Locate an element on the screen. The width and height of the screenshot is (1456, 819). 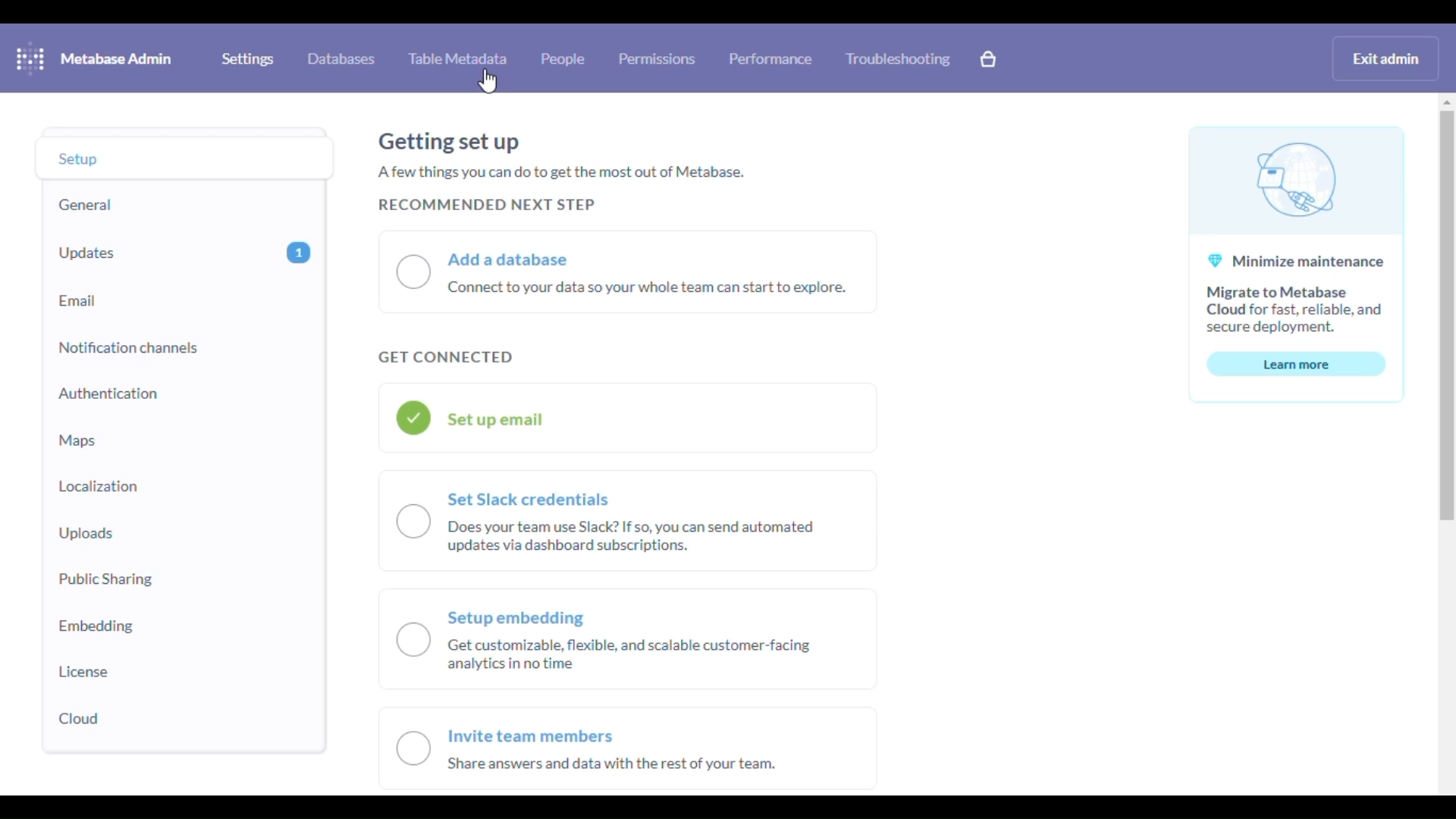
getting set up is located at coordinates (449, 142).